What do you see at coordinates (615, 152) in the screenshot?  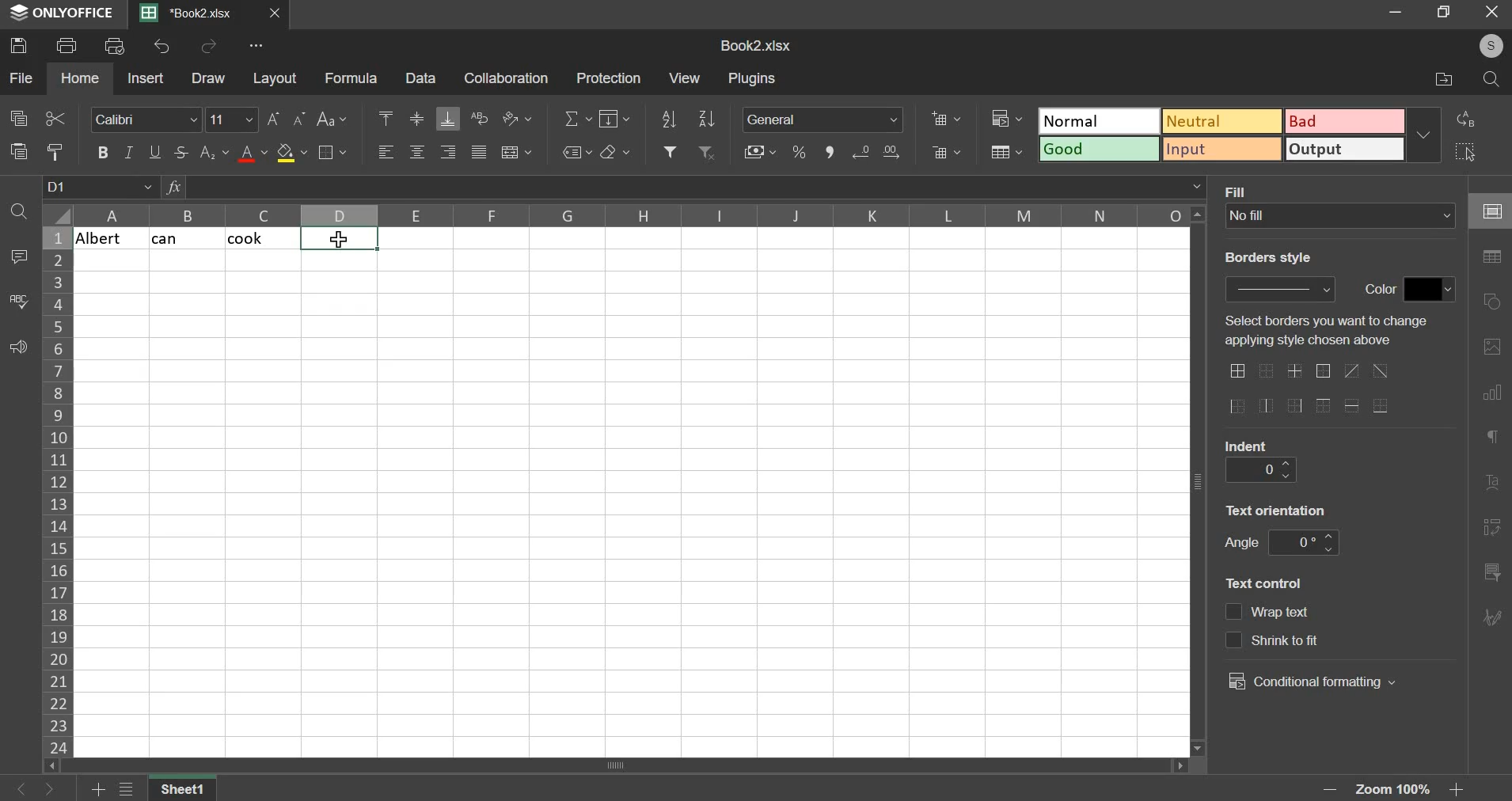 I see `clear` at bounding box center [615, 152].